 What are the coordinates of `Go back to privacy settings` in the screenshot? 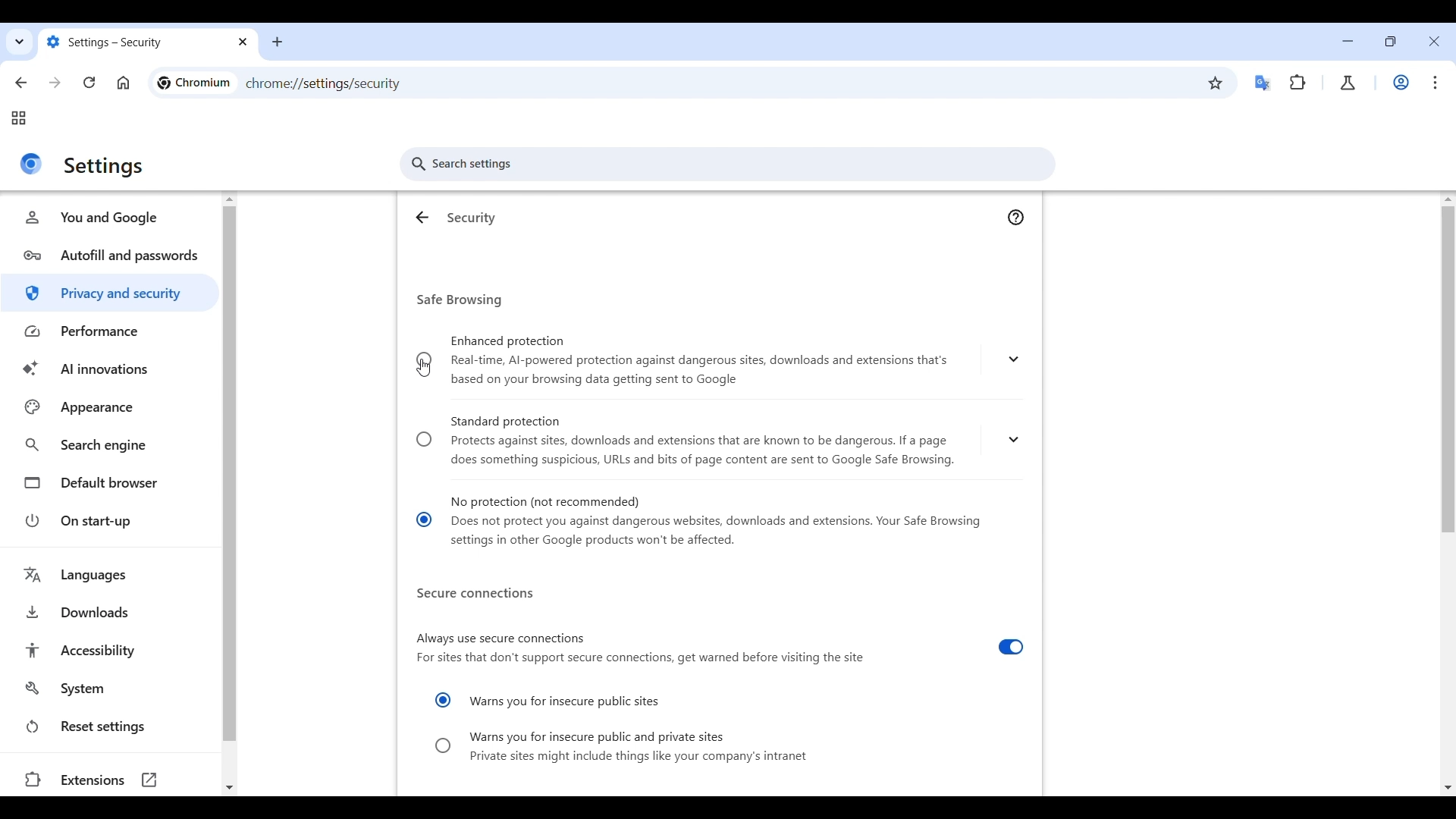 It's located at (423, 218).